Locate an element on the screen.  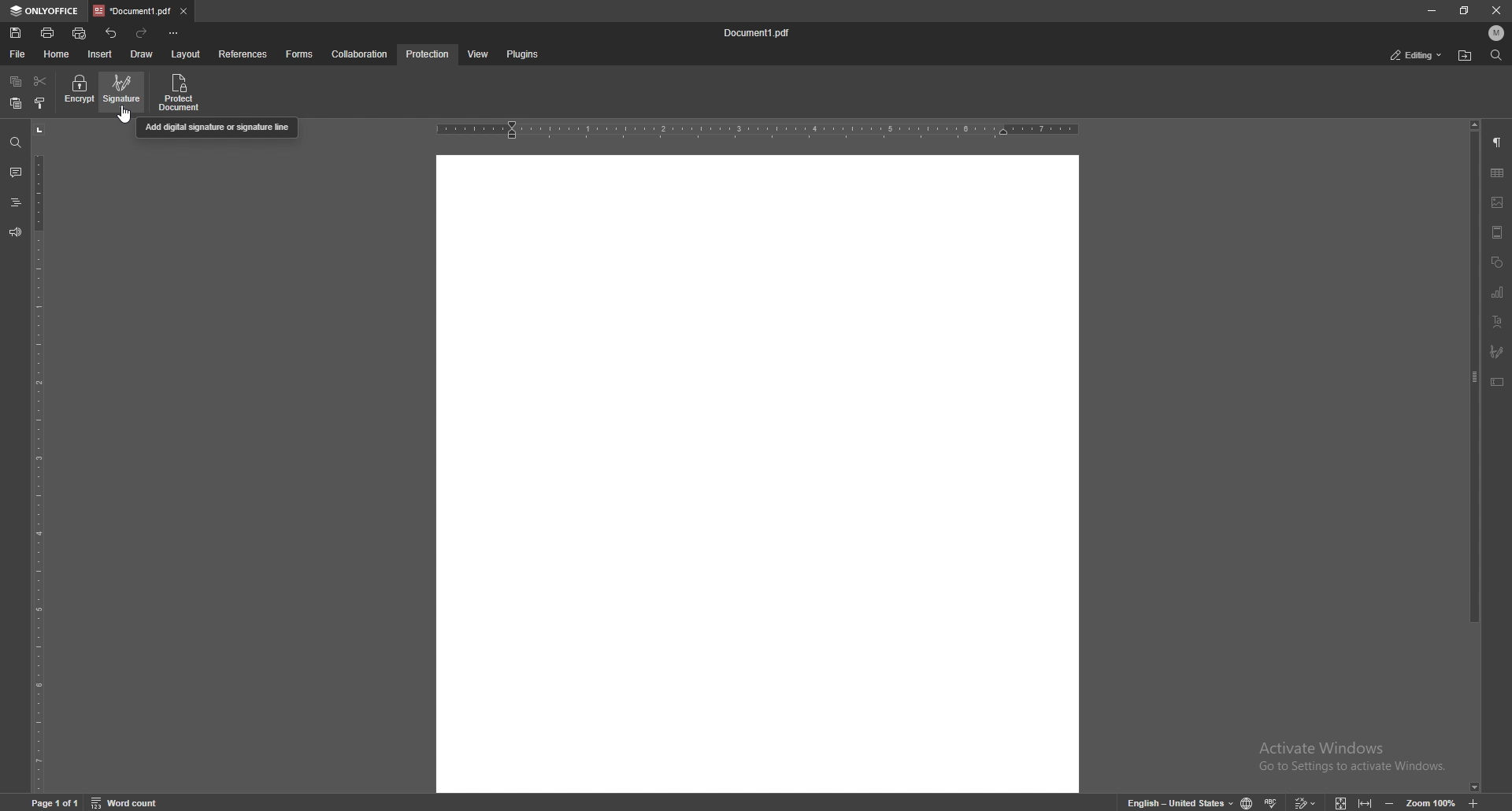
word count is located at coordinates (135, 802).